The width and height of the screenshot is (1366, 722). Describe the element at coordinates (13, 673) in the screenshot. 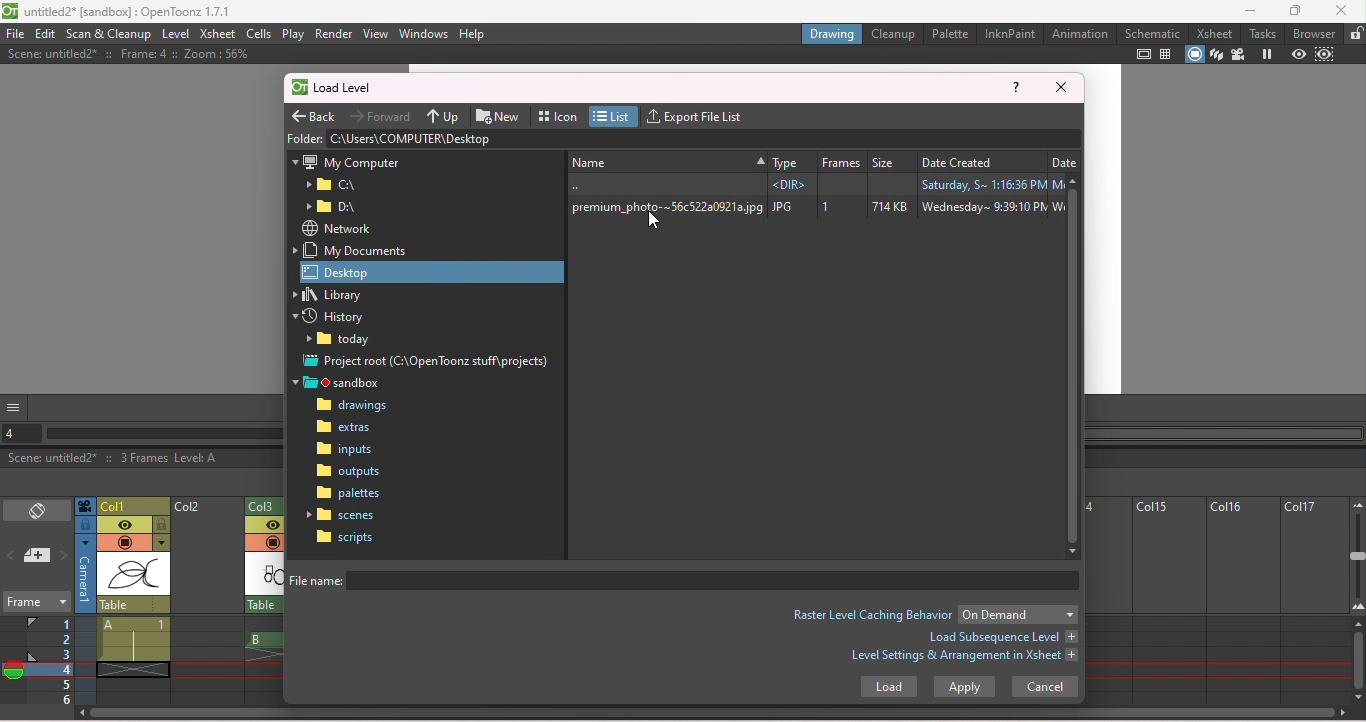

I see `Onion skin` at that location.